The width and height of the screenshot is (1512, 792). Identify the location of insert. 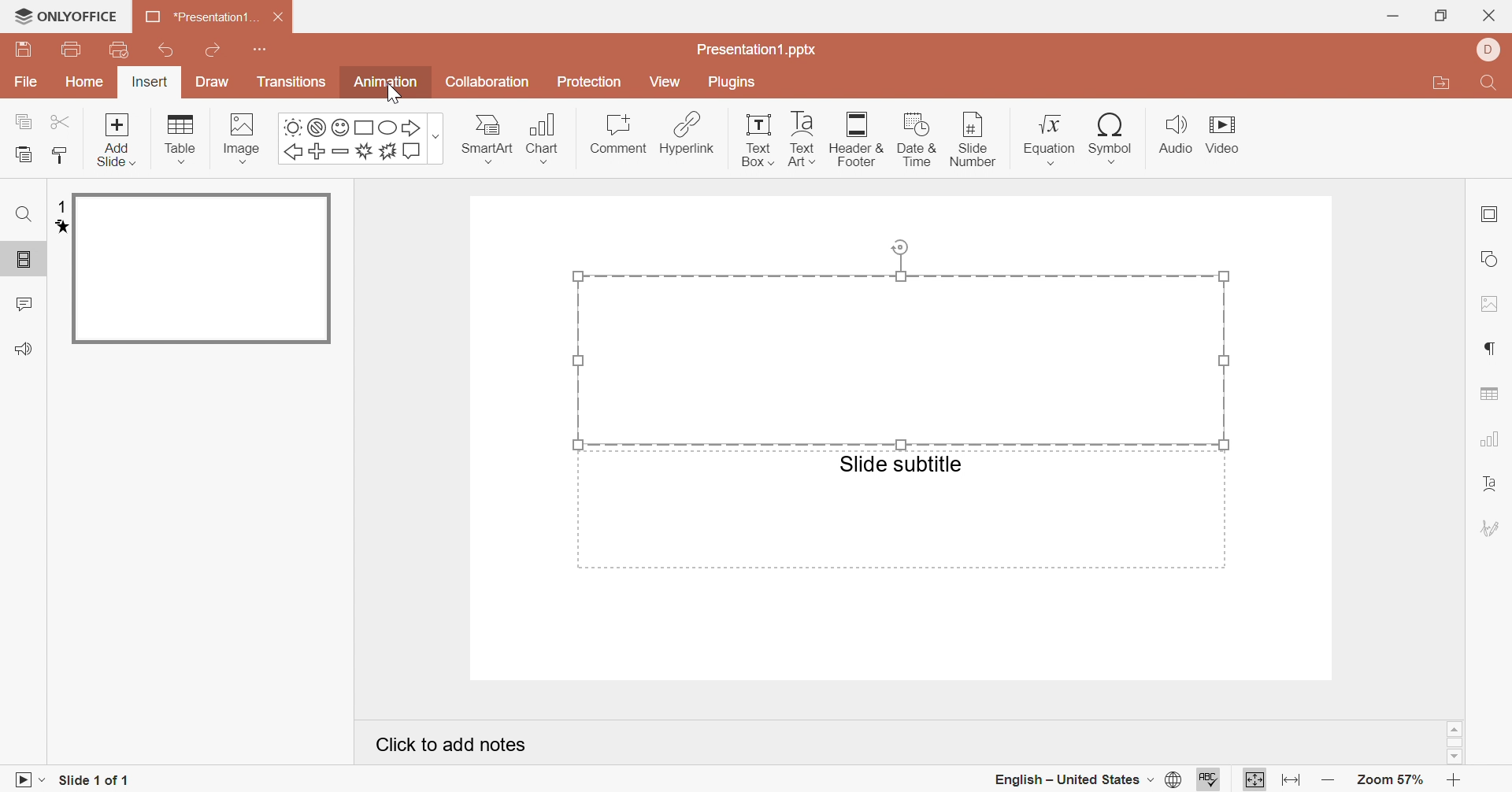
(149, 82).